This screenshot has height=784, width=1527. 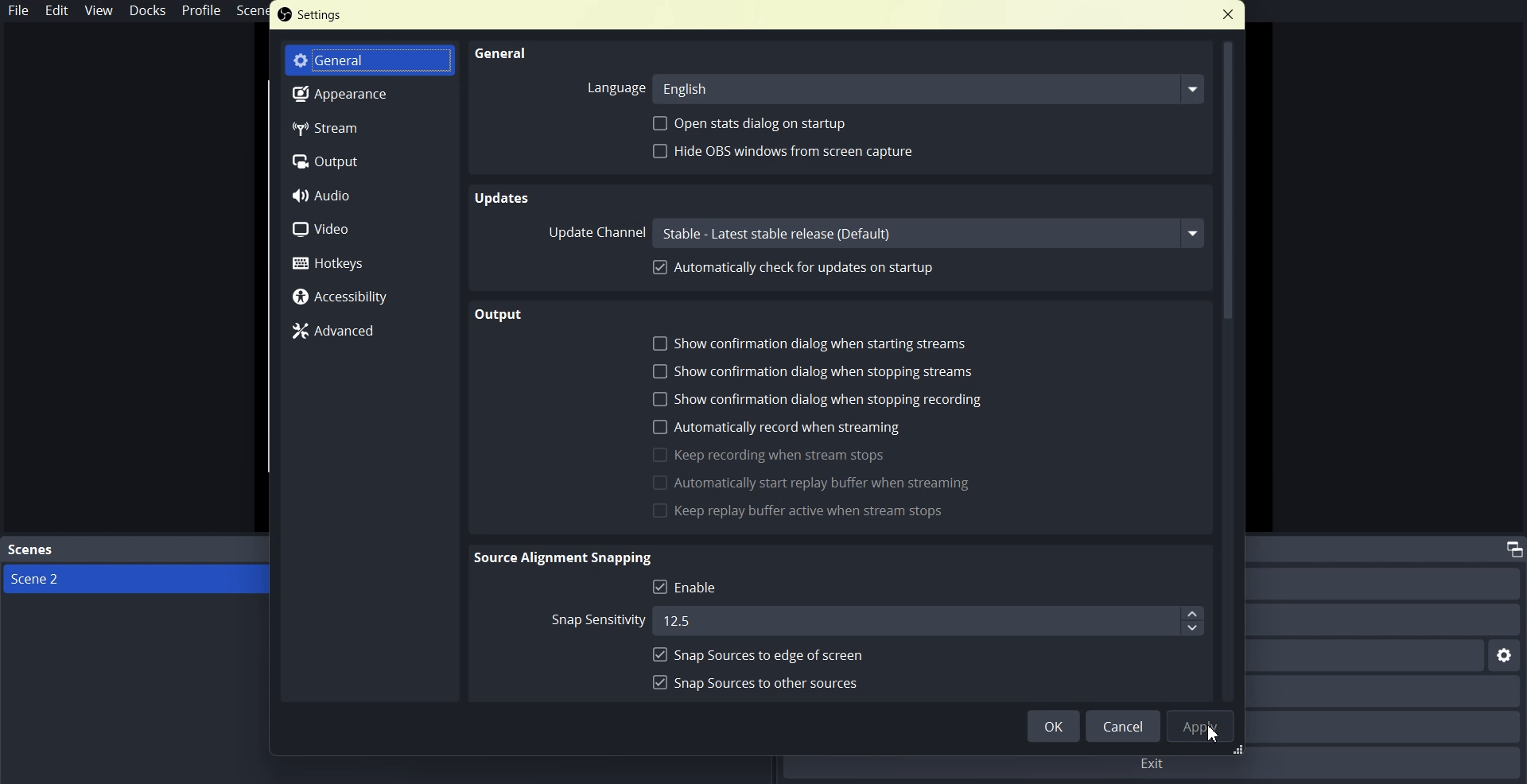 I want to click on Hyde ops window from screen capture, so click(x=783, y=153).